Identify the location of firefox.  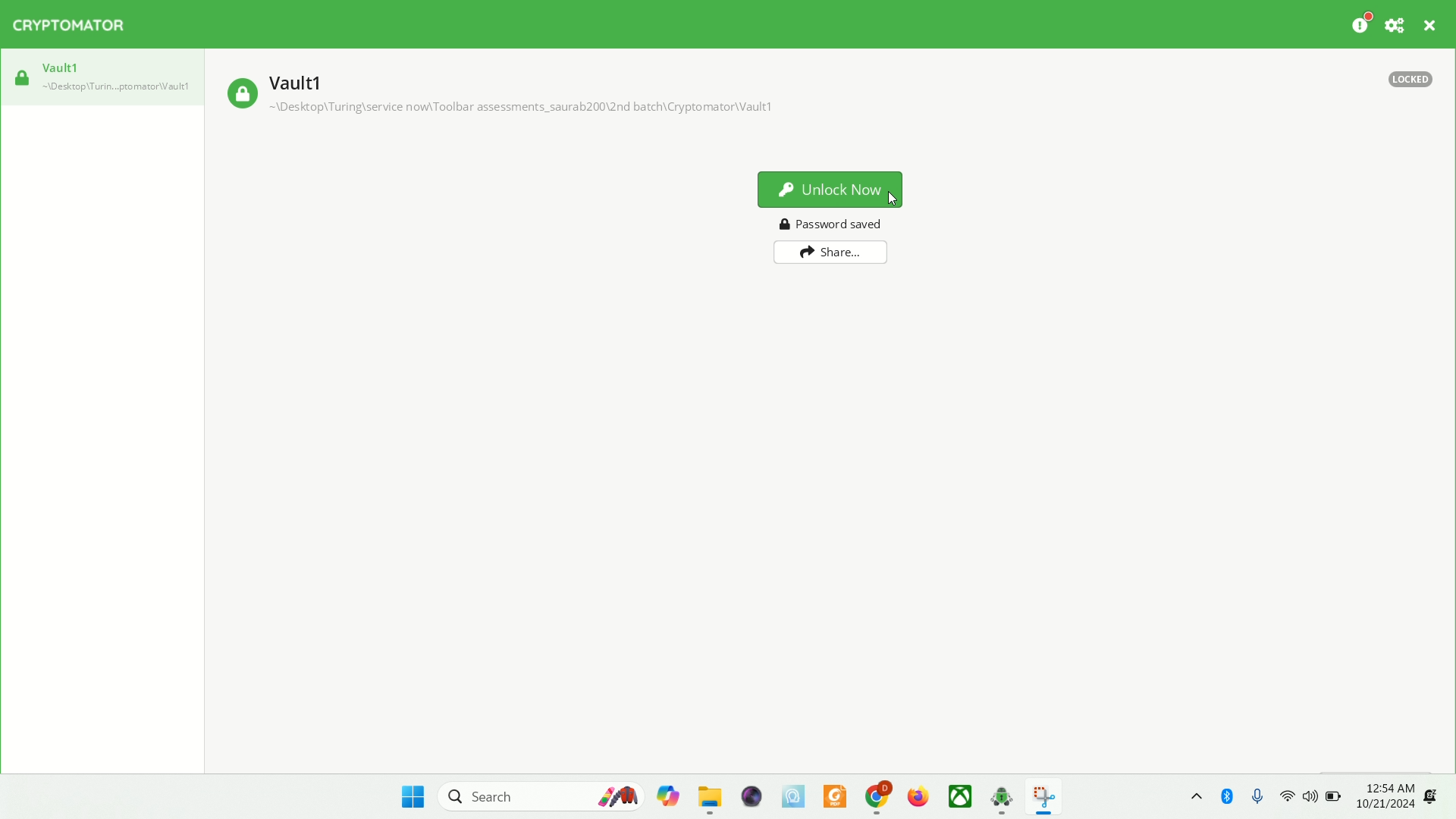
(918, 796).